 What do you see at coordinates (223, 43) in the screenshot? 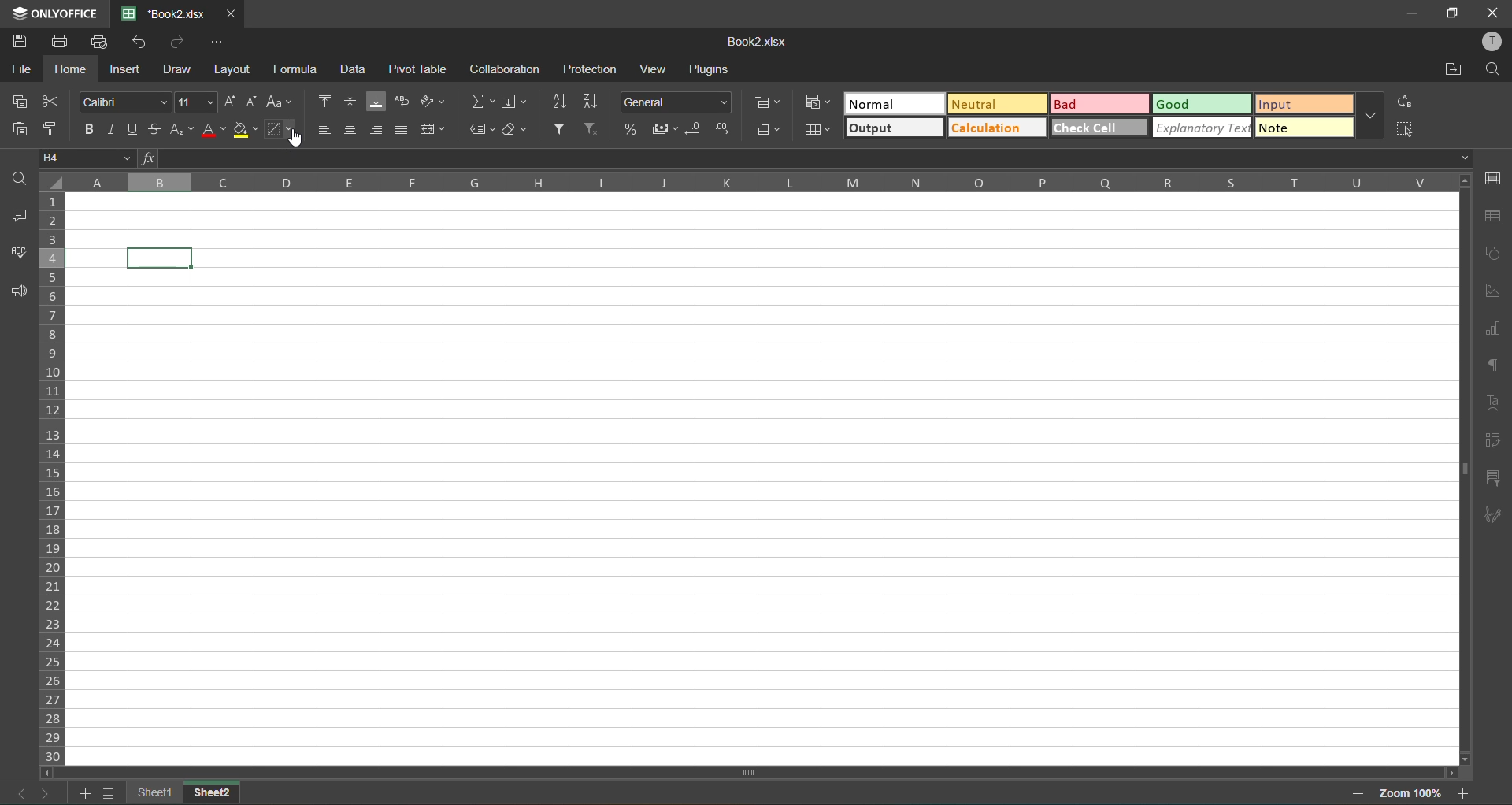
I see `customize quick access toolbar` at bounding box center [223, 43].